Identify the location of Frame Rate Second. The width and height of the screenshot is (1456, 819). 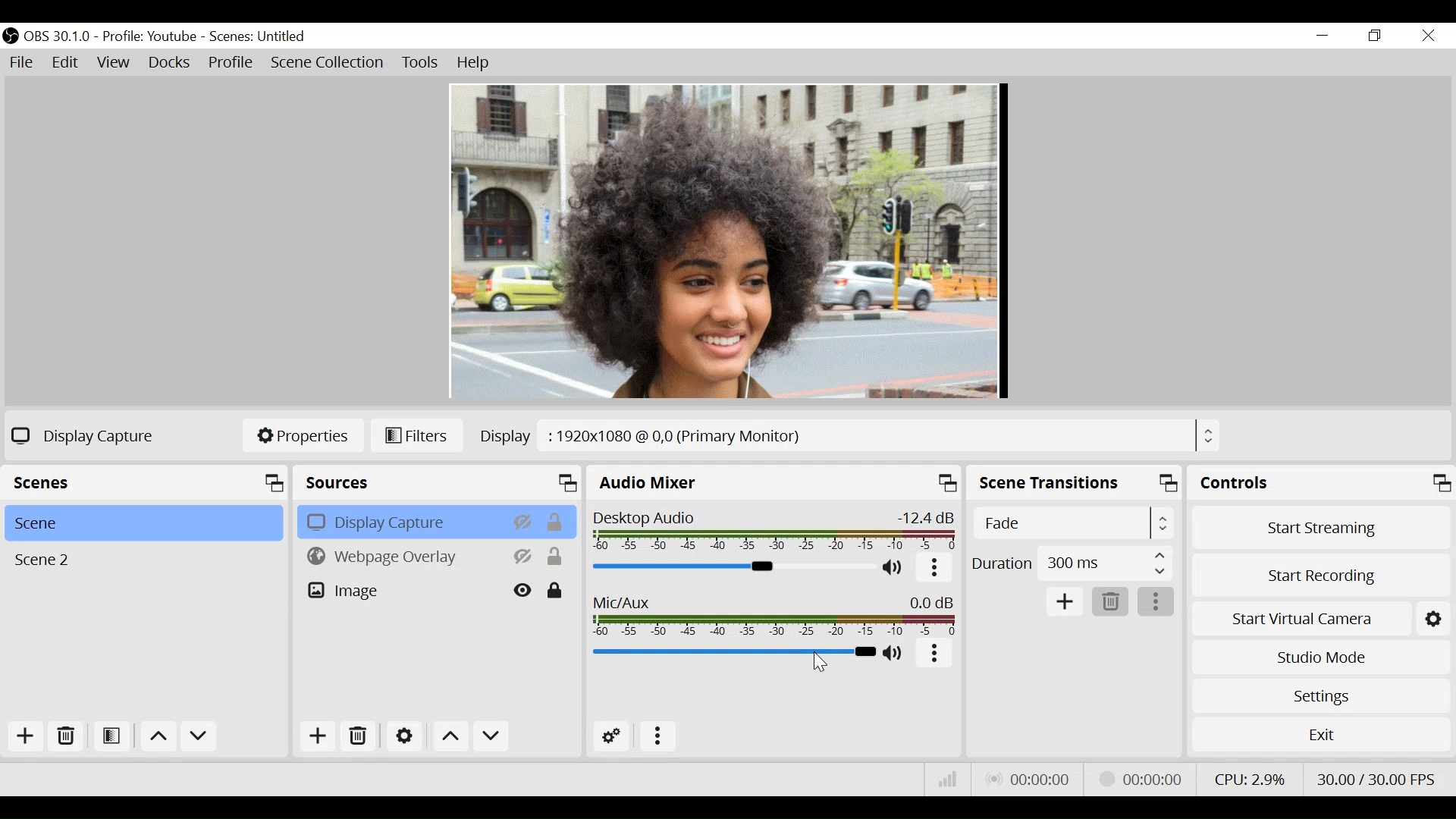
(1379, 779).